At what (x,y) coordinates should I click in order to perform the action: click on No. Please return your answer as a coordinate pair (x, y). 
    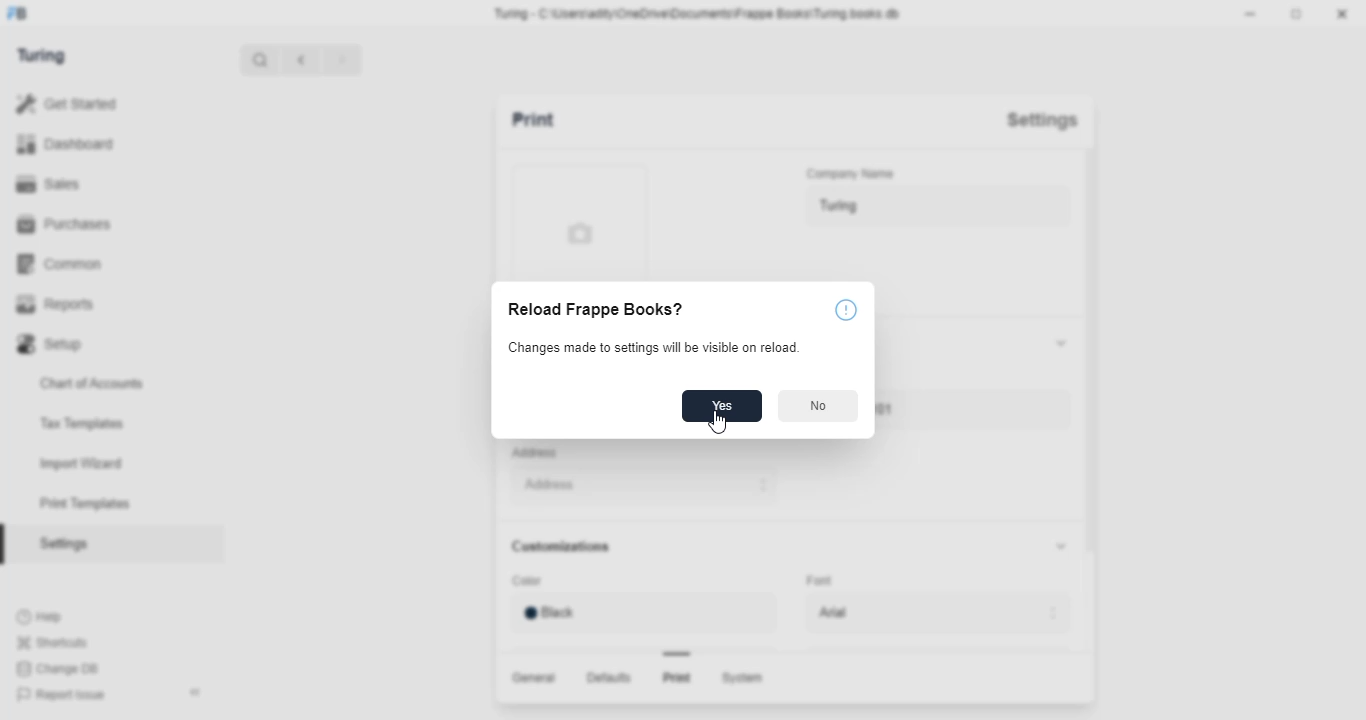
    Looking at the image, I should click on (819, 406).